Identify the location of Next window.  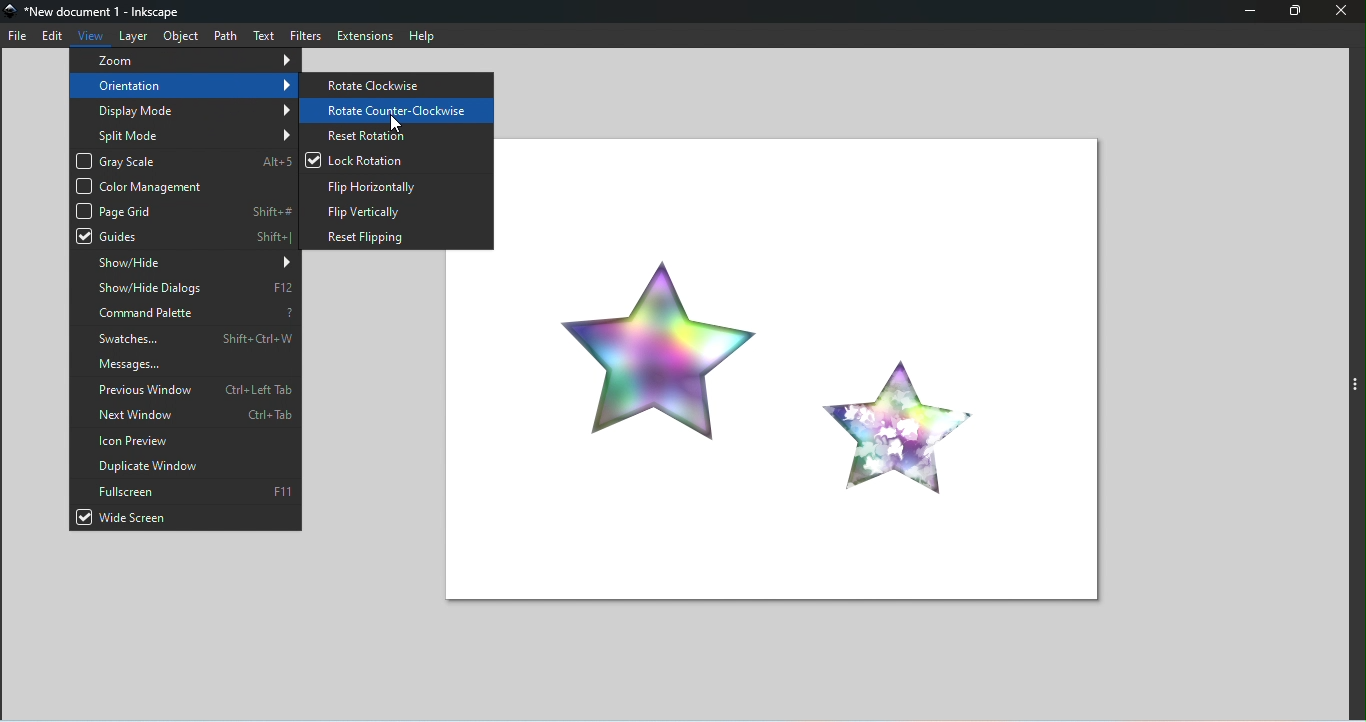
(183, 415).